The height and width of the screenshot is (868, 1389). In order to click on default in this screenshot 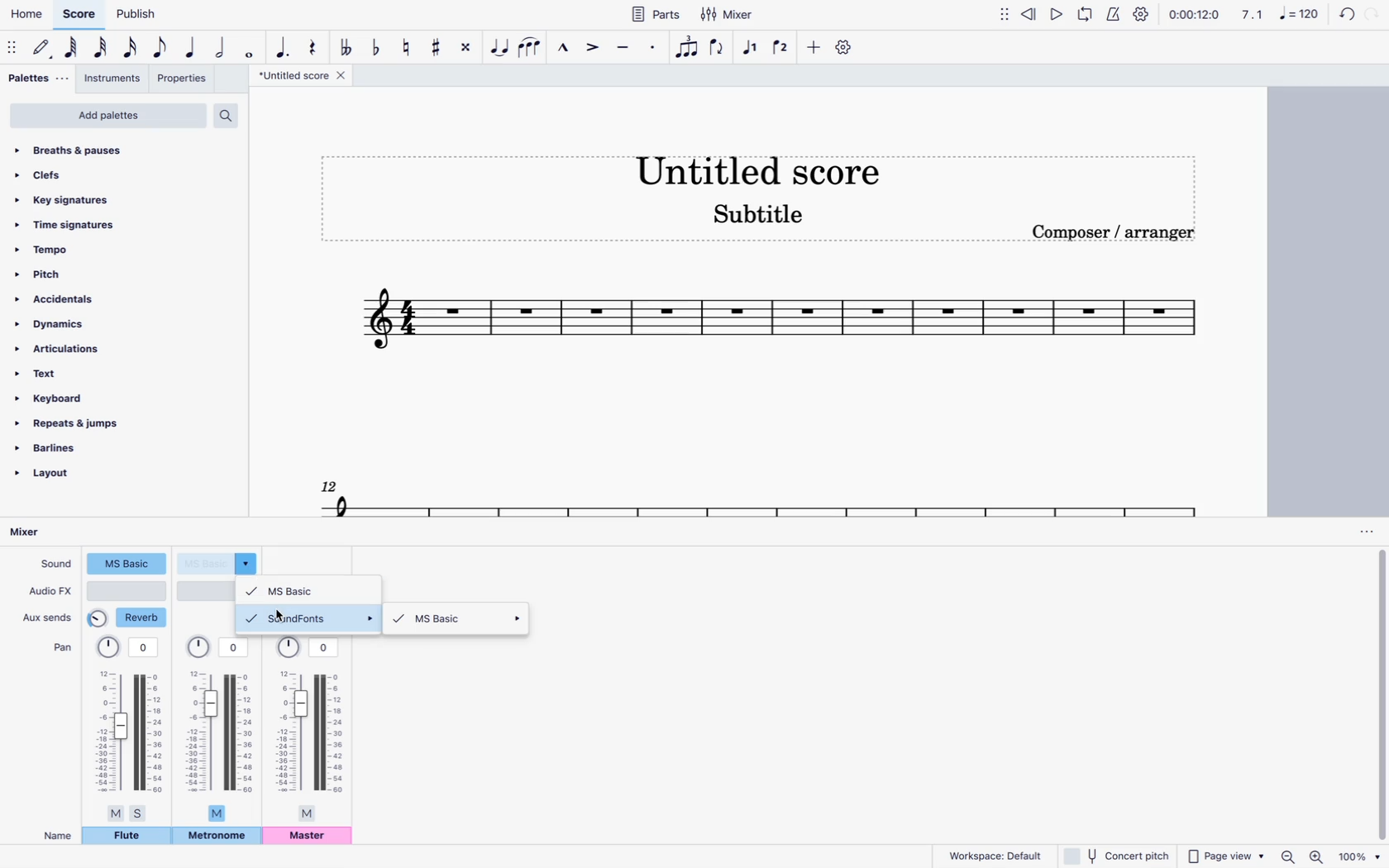, I will do `click(45, 49)`.